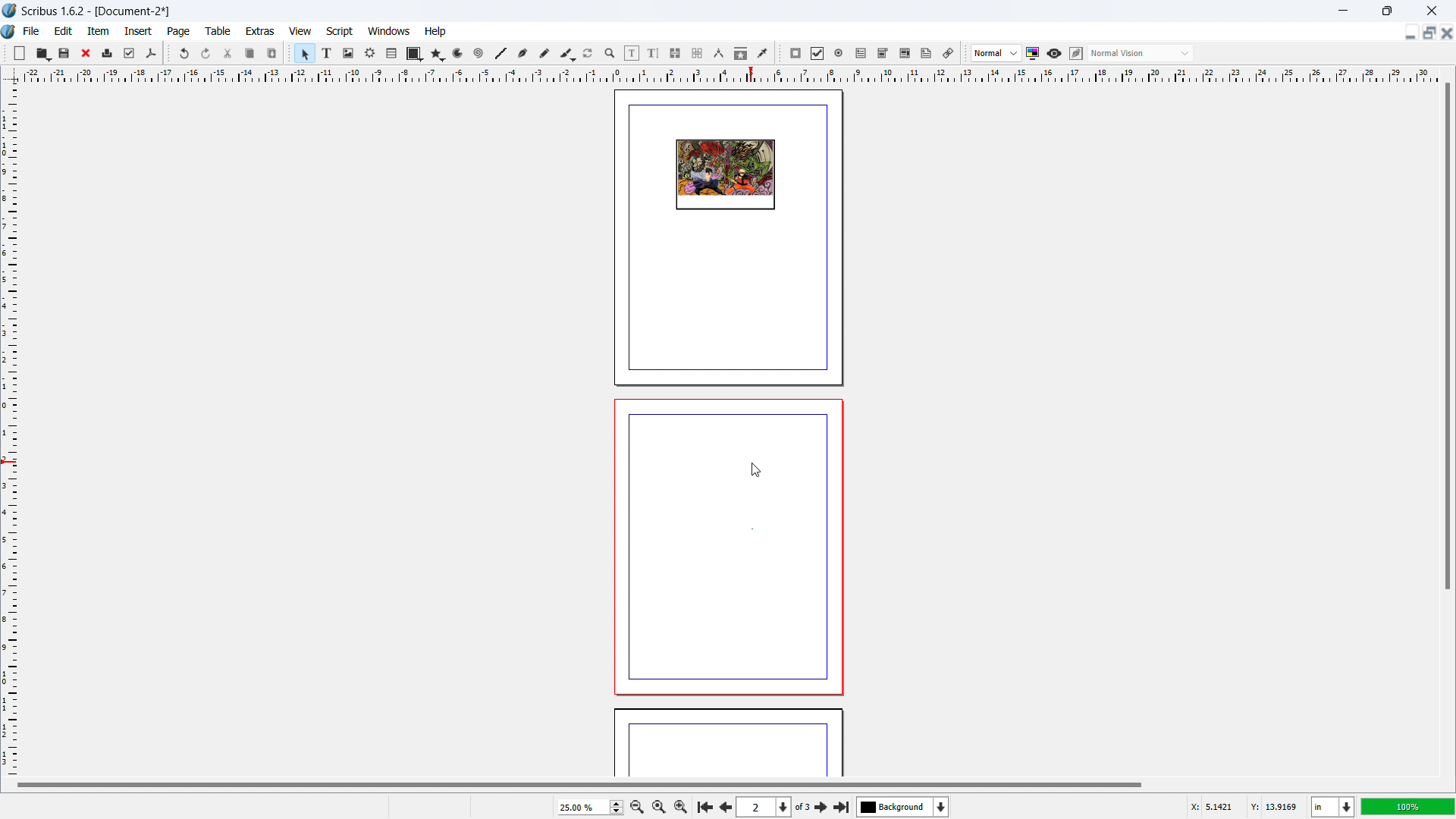 This screenshot has height=819, width=1456. Describe the element at coordinates (500, 54) in the screenshot. I see `line` at that location.